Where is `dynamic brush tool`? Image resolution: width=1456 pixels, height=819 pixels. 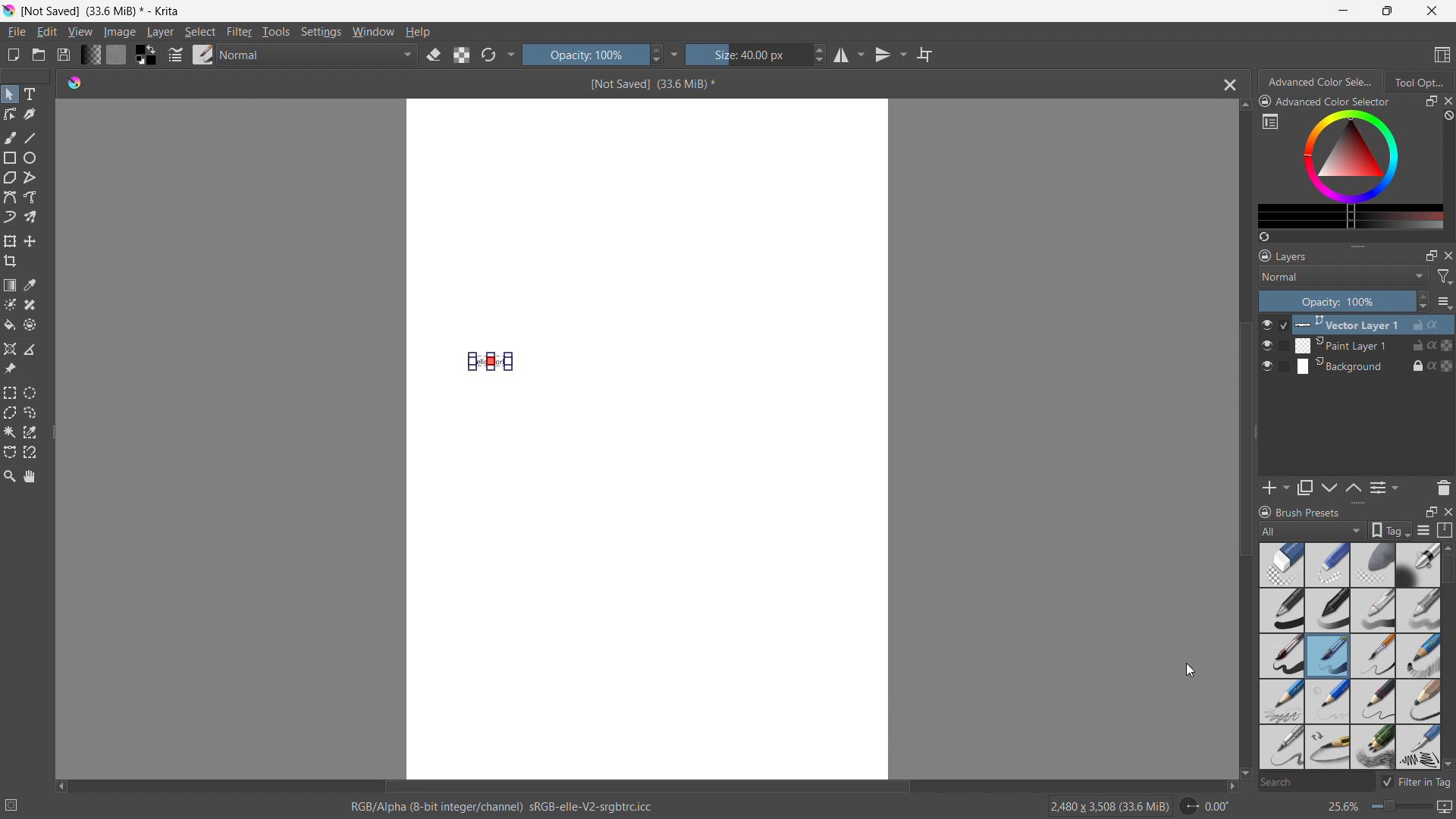
dynamic brush tool is located at coordinates (10, 218).